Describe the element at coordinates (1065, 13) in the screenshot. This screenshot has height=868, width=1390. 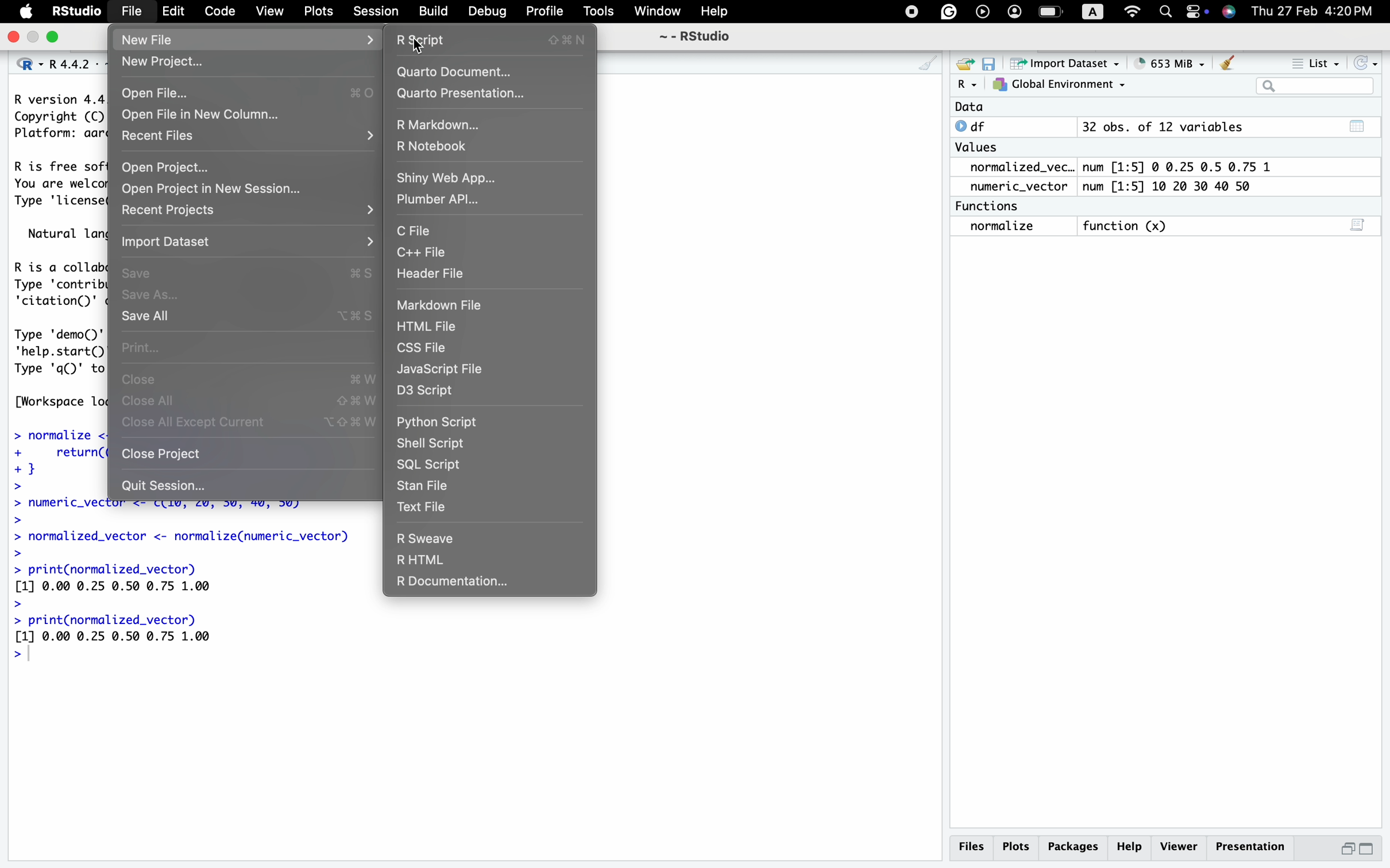
I see `Apple Controls` at that location.